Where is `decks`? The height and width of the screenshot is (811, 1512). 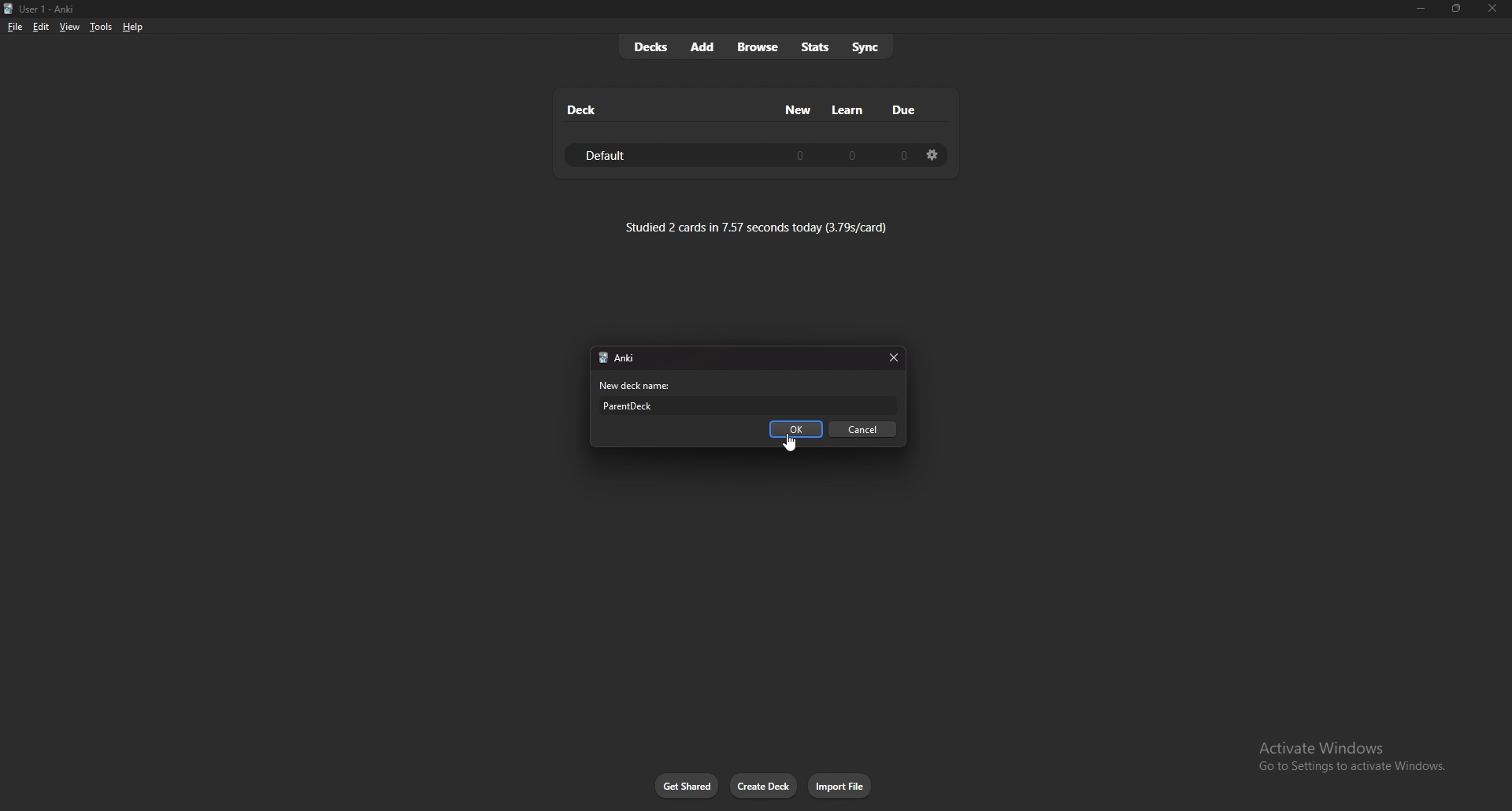 decks is located at coordinates (650, 47).